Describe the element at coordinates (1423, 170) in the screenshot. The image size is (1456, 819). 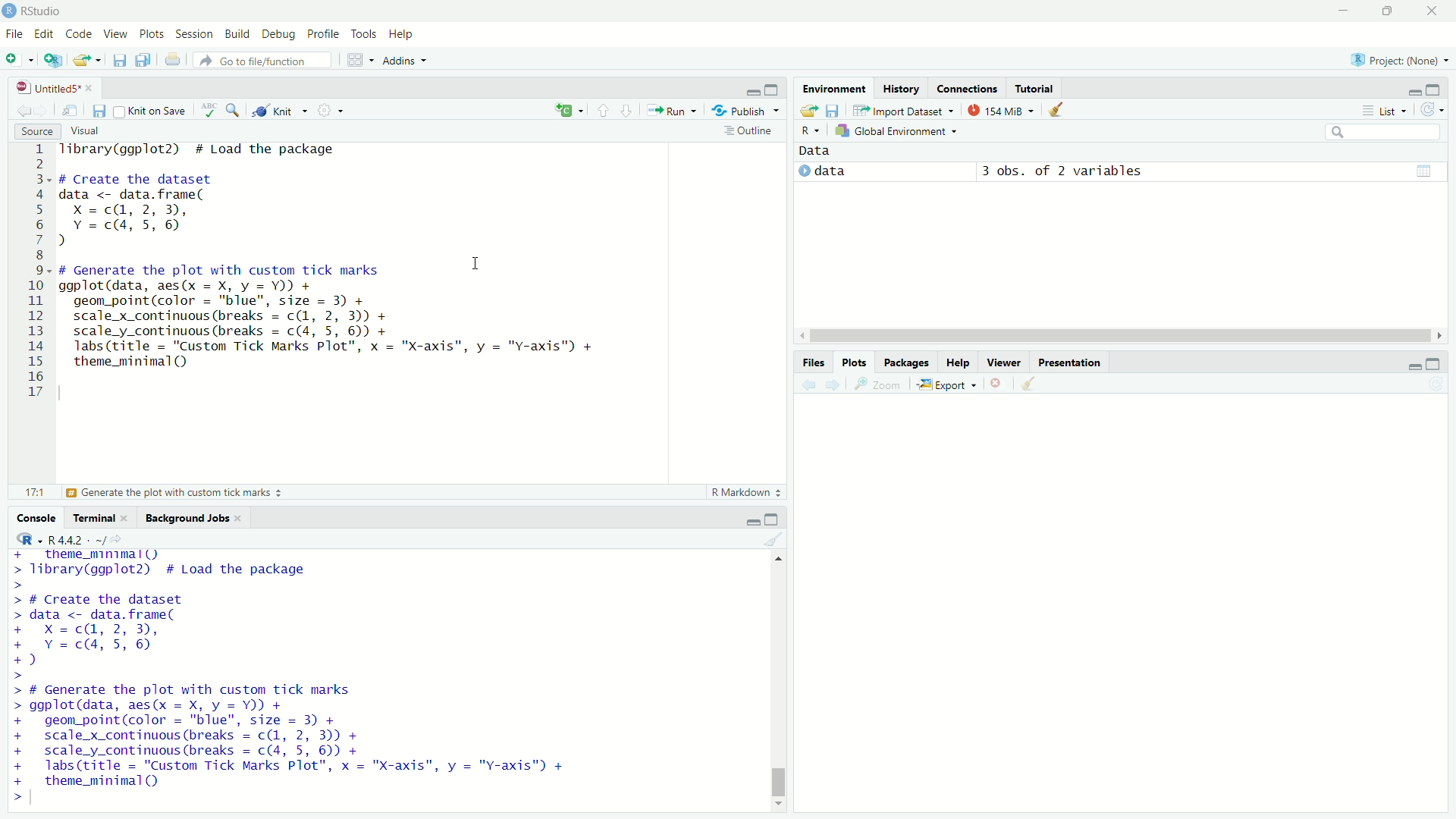
I see `table` at that location.